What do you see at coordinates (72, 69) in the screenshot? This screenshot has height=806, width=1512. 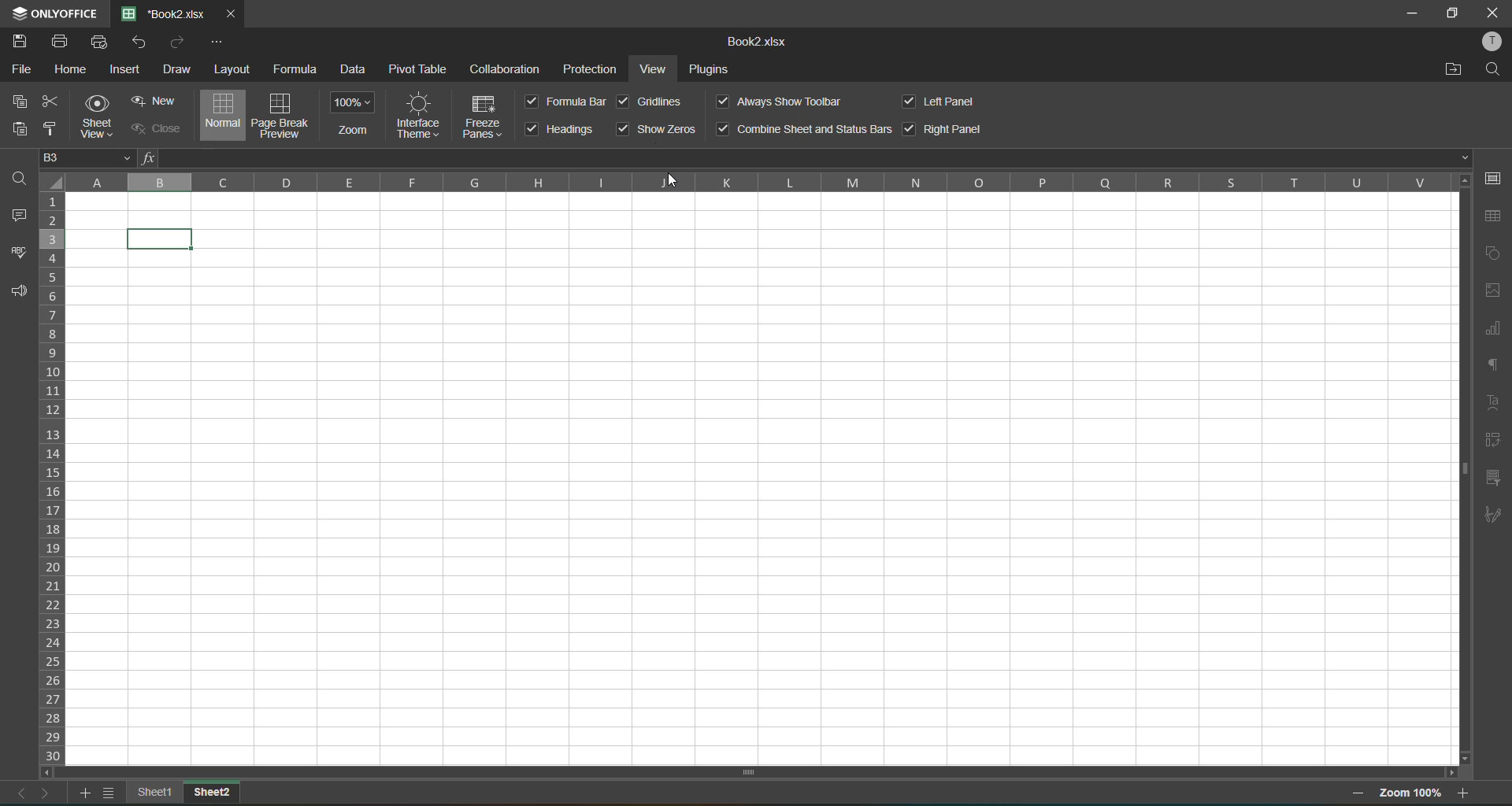 I see `Home` at bounding box center [72, 69].